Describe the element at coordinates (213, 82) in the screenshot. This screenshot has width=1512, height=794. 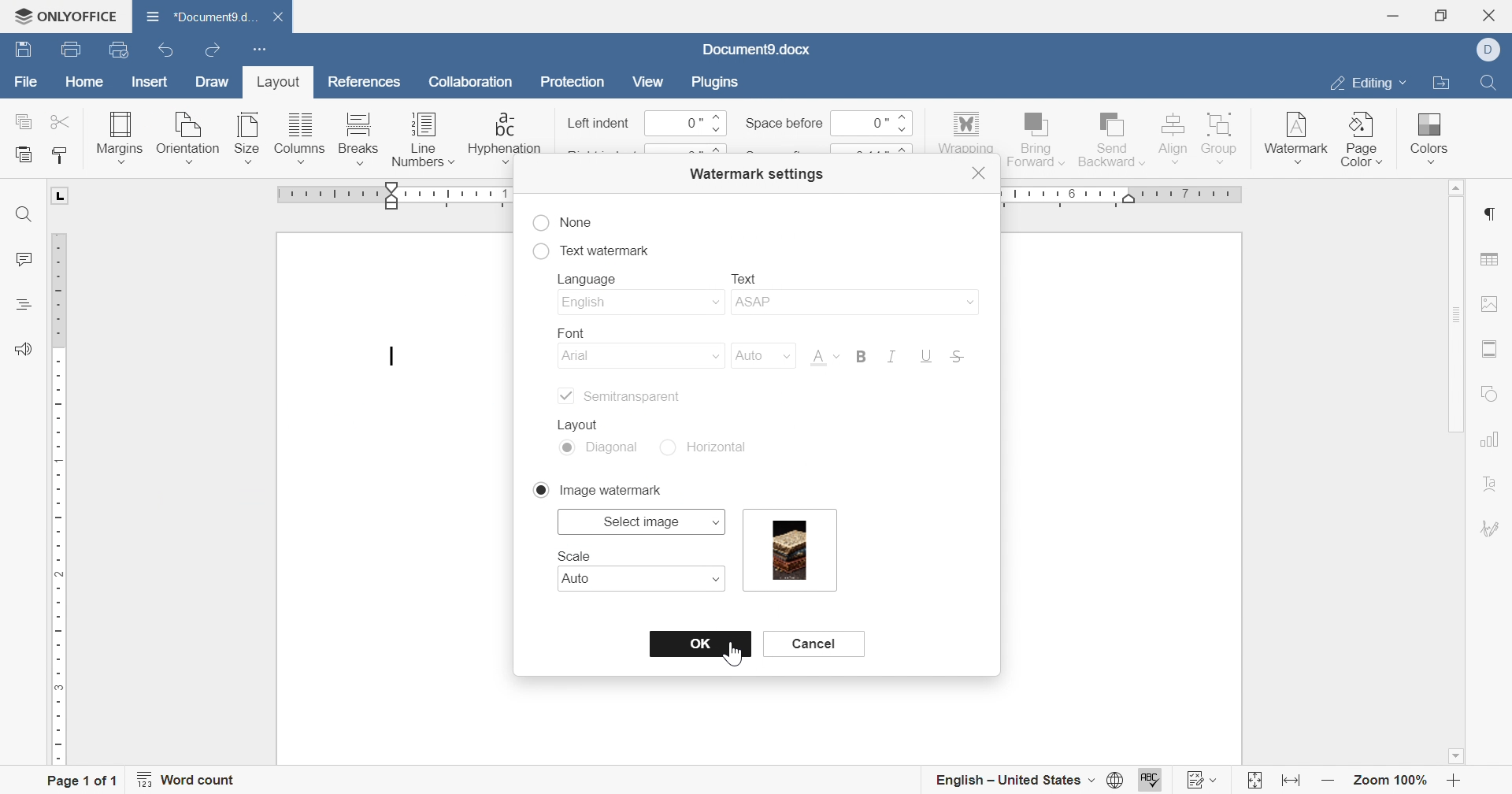
I see `draw` at that location.